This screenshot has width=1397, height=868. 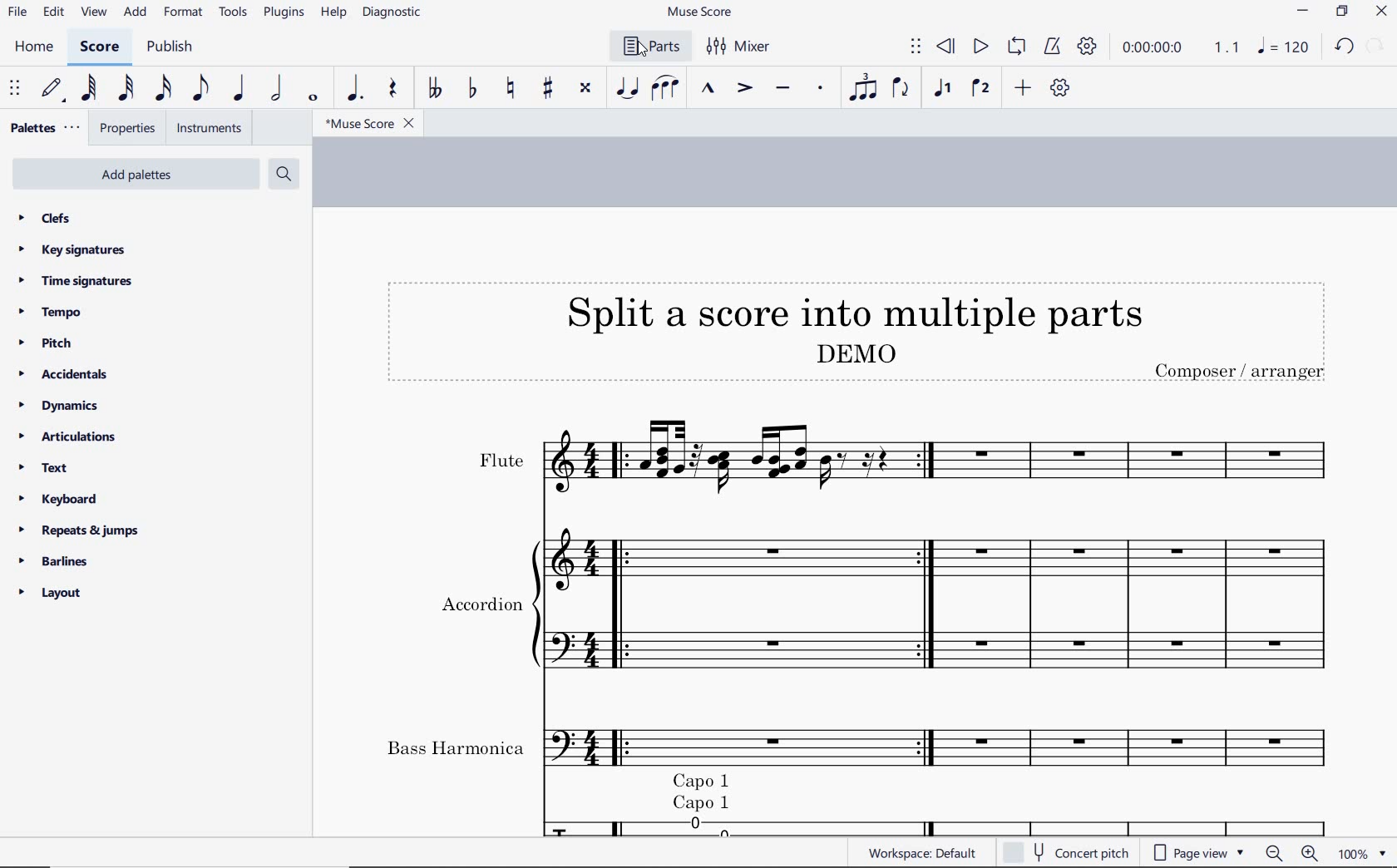 I want to click on layout, so click(x=52, y=593).